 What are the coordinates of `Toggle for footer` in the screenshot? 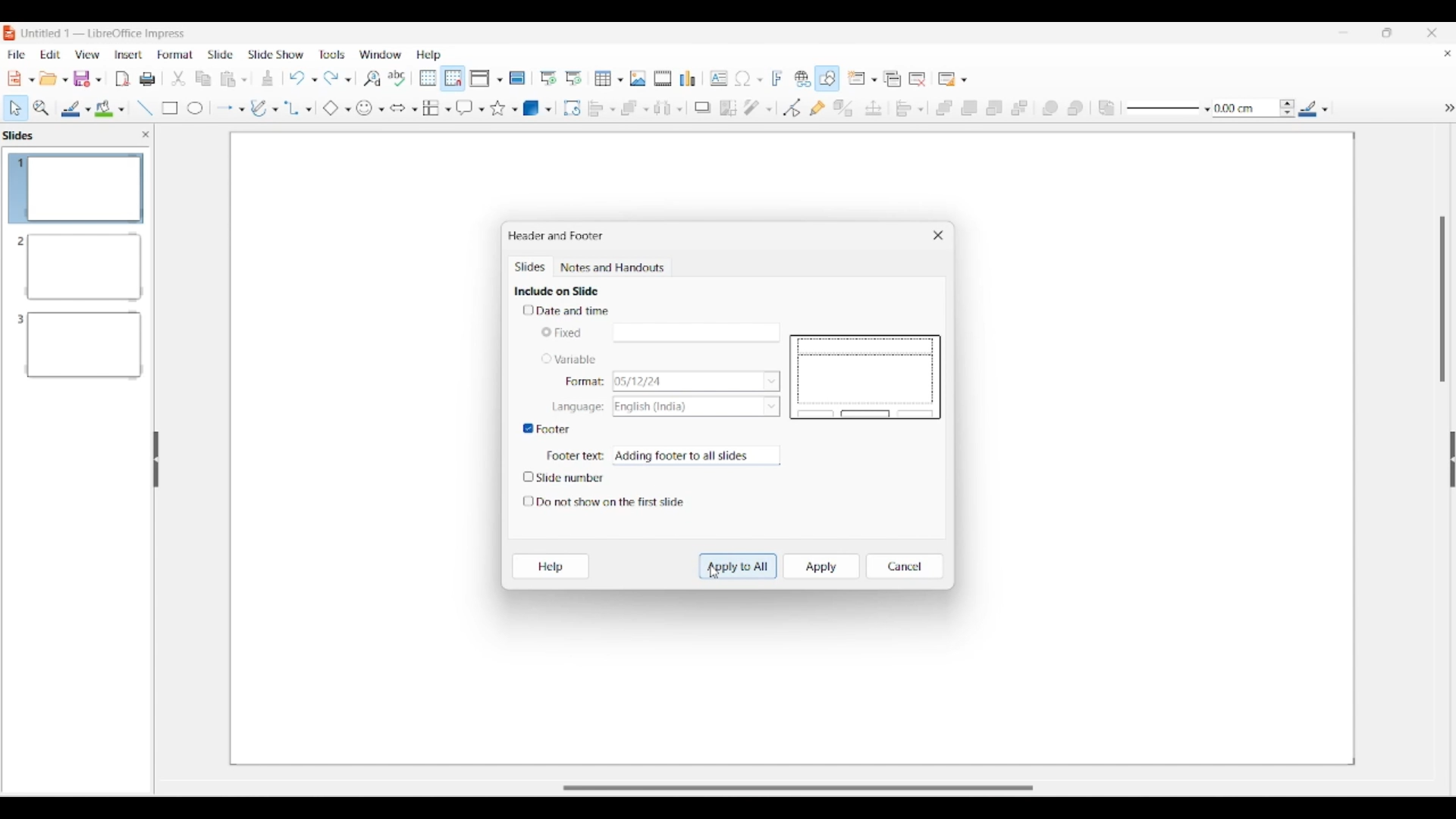 It's located at (547, 429).